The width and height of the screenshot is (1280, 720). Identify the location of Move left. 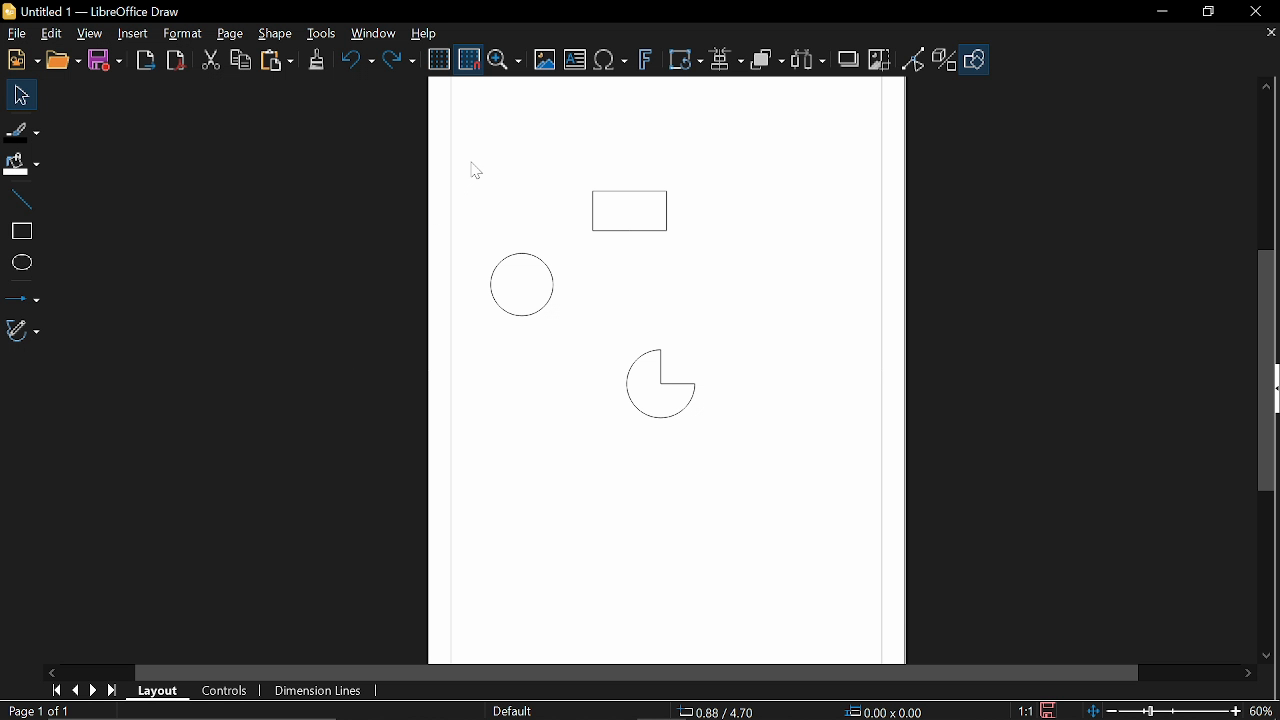
(51, 672).